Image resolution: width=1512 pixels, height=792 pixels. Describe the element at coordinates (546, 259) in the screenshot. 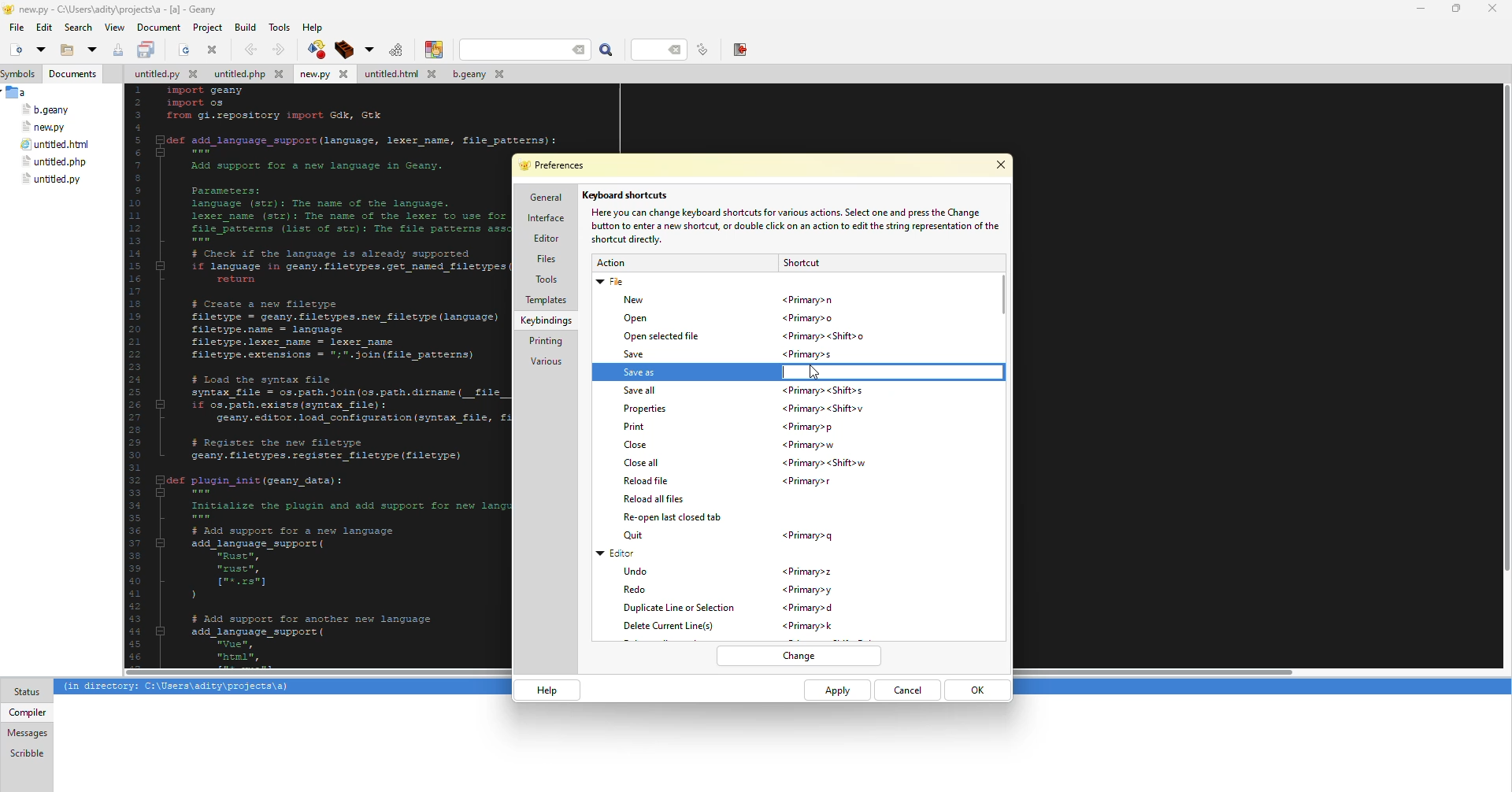

I see `files` at that location.